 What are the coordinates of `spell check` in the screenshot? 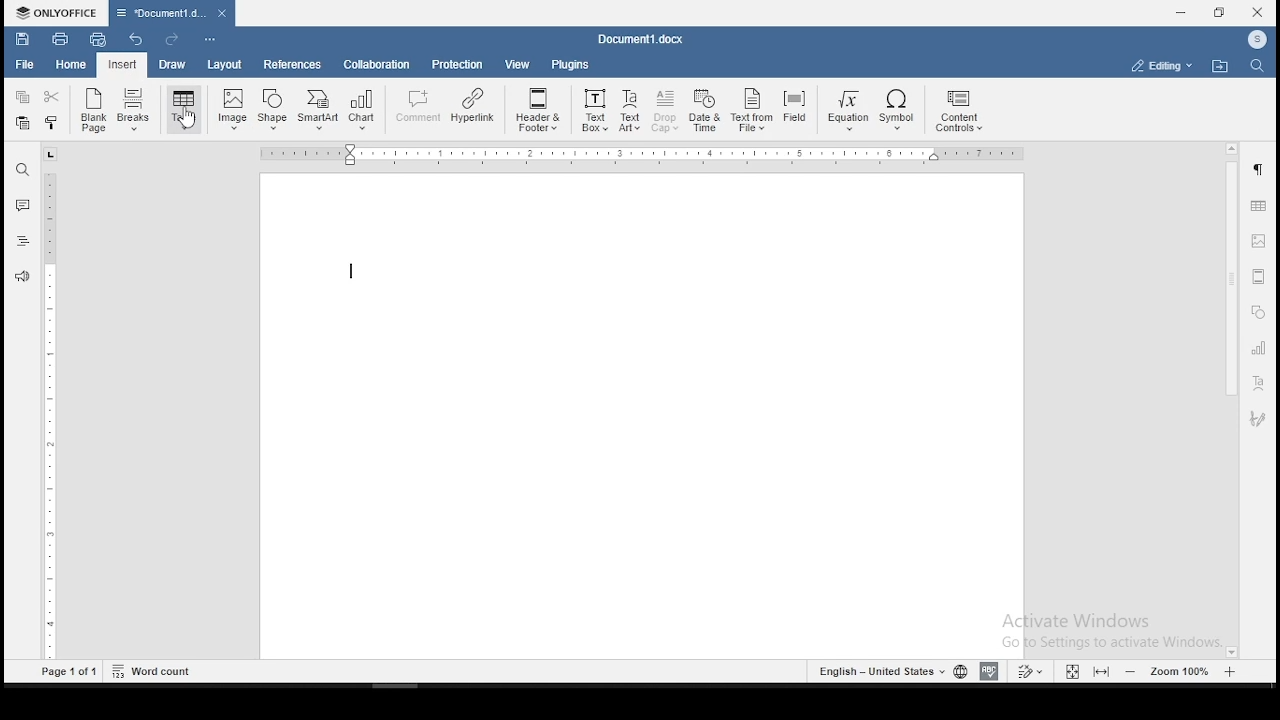 It's located at (989, 672).